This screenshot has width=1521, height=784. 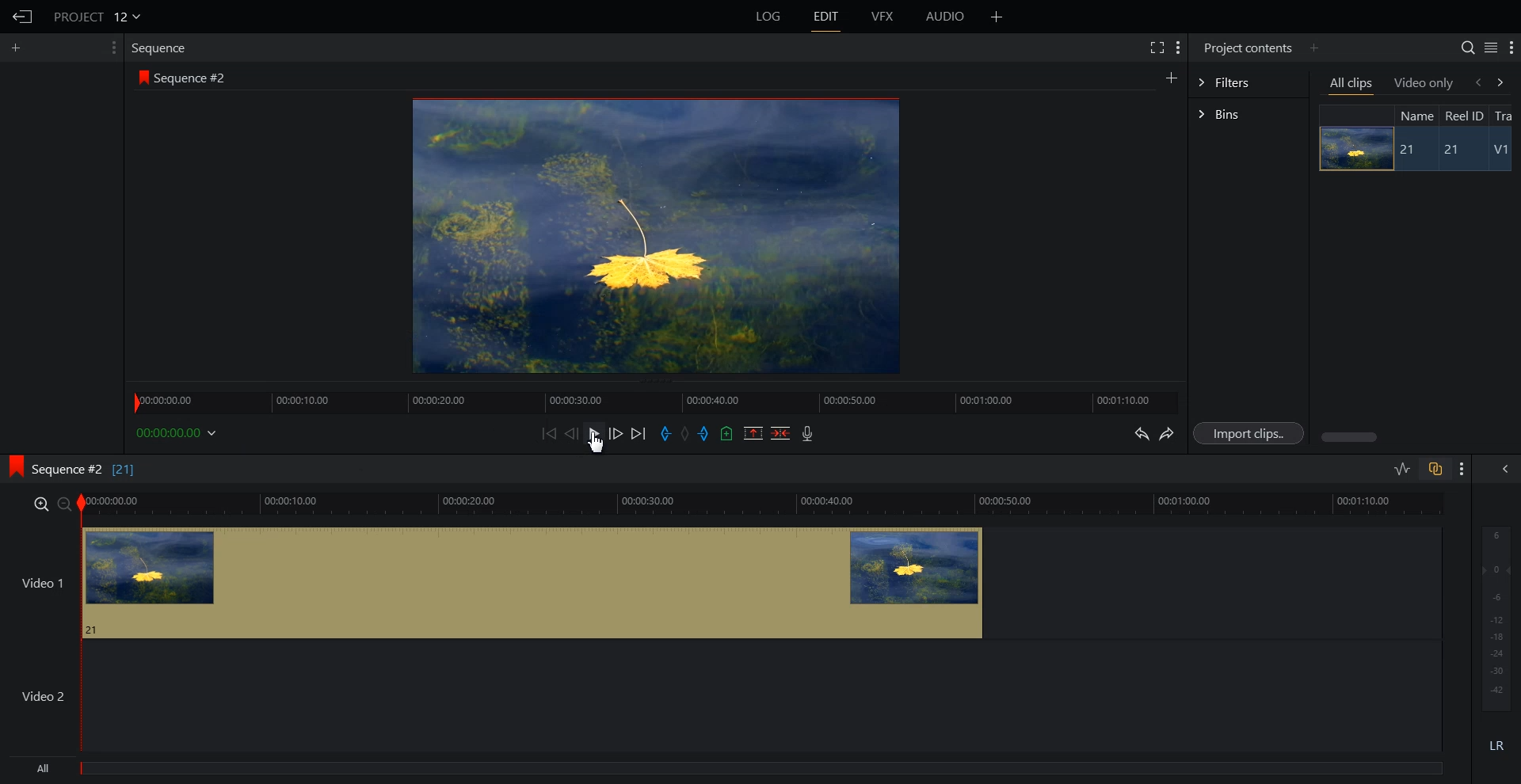 I want to click on Undo, so click(x=1139, y=434).